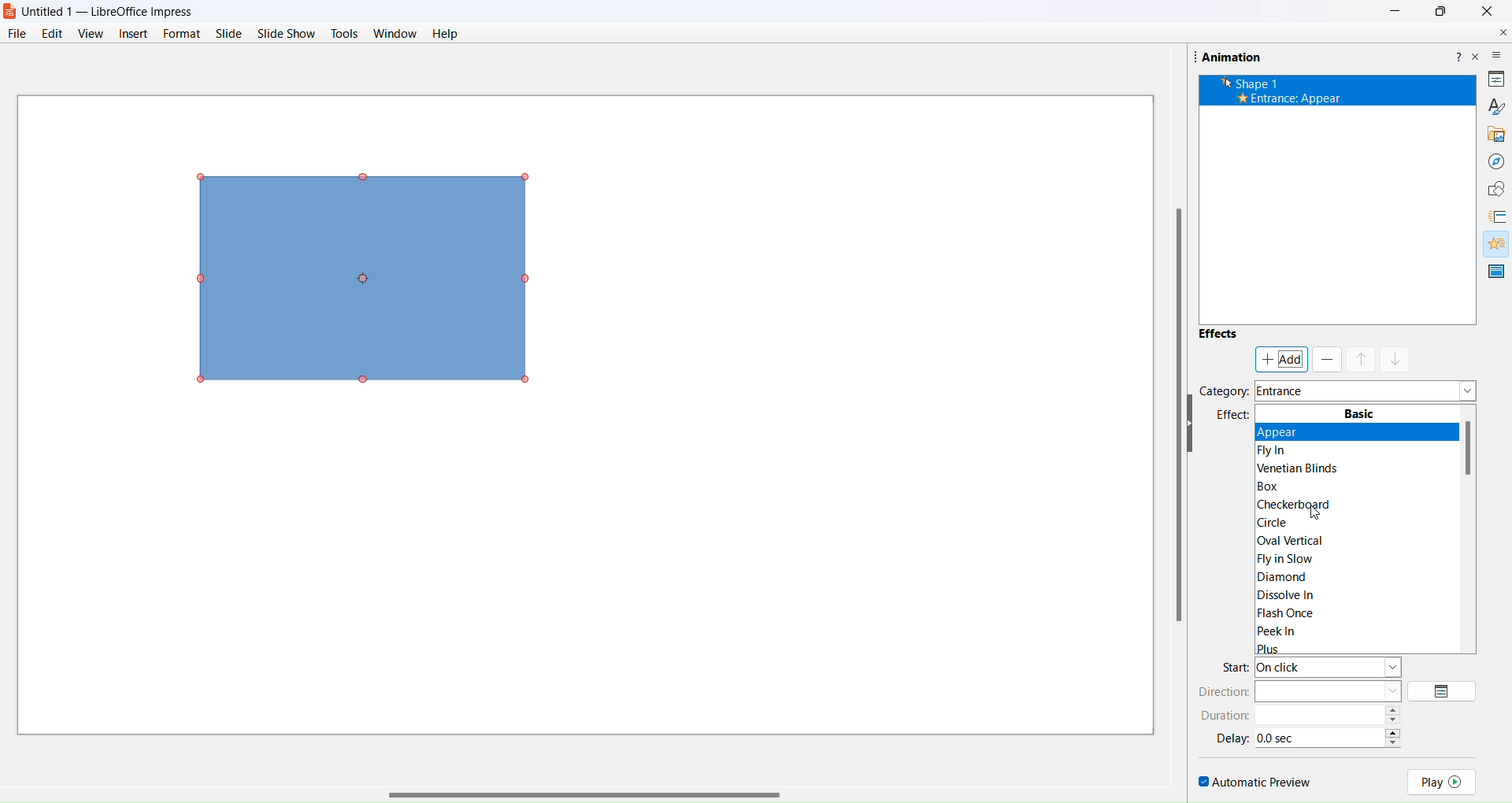 The height and width of the screenshot is (803, 1512). What do you see at coordinates (1298, 503) in the screenshot?
I see `Checkerboard` at bounding box center [1298, 503].